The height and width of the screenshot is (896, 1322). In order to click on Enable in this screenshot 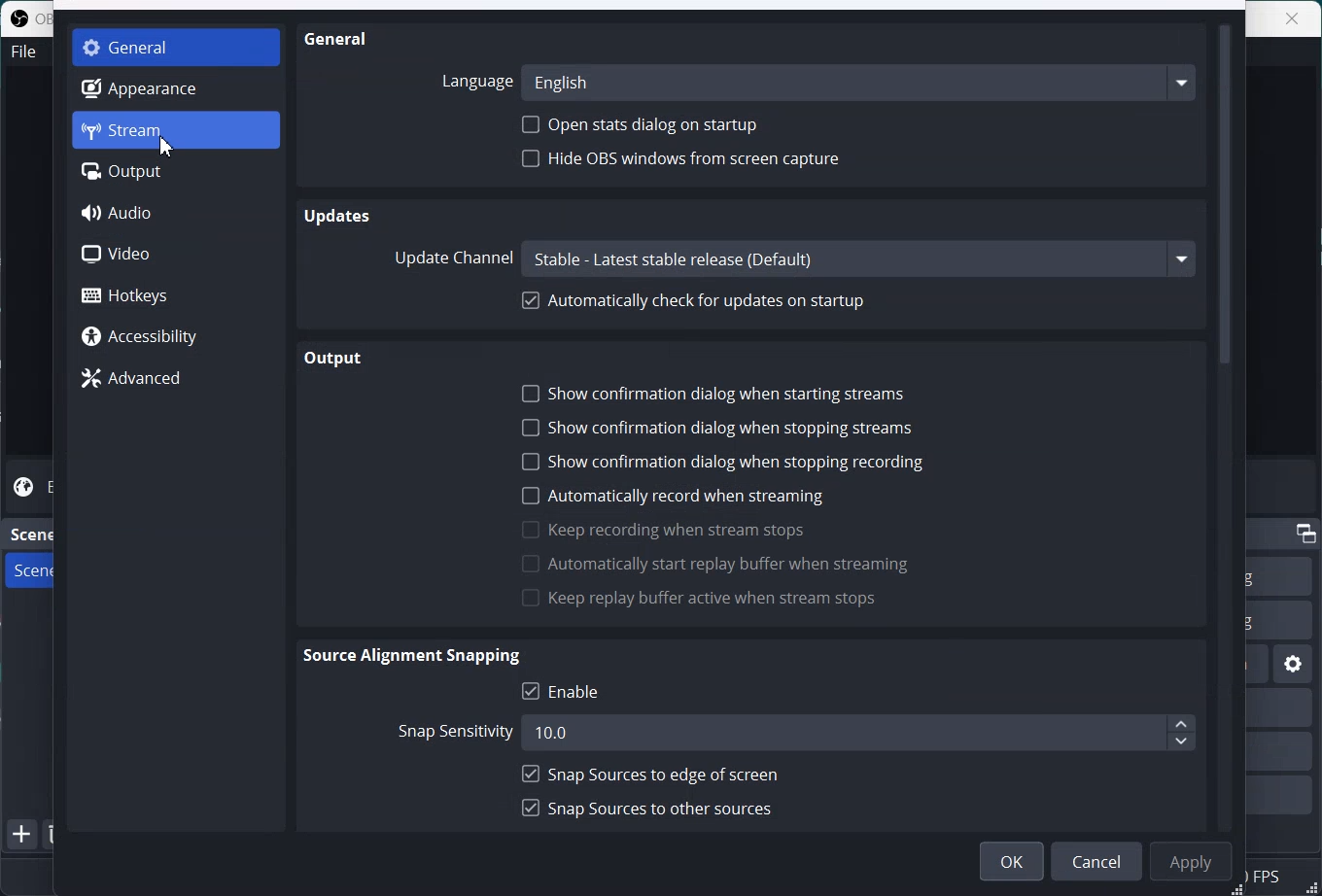, I will do `click(561, 690)`.